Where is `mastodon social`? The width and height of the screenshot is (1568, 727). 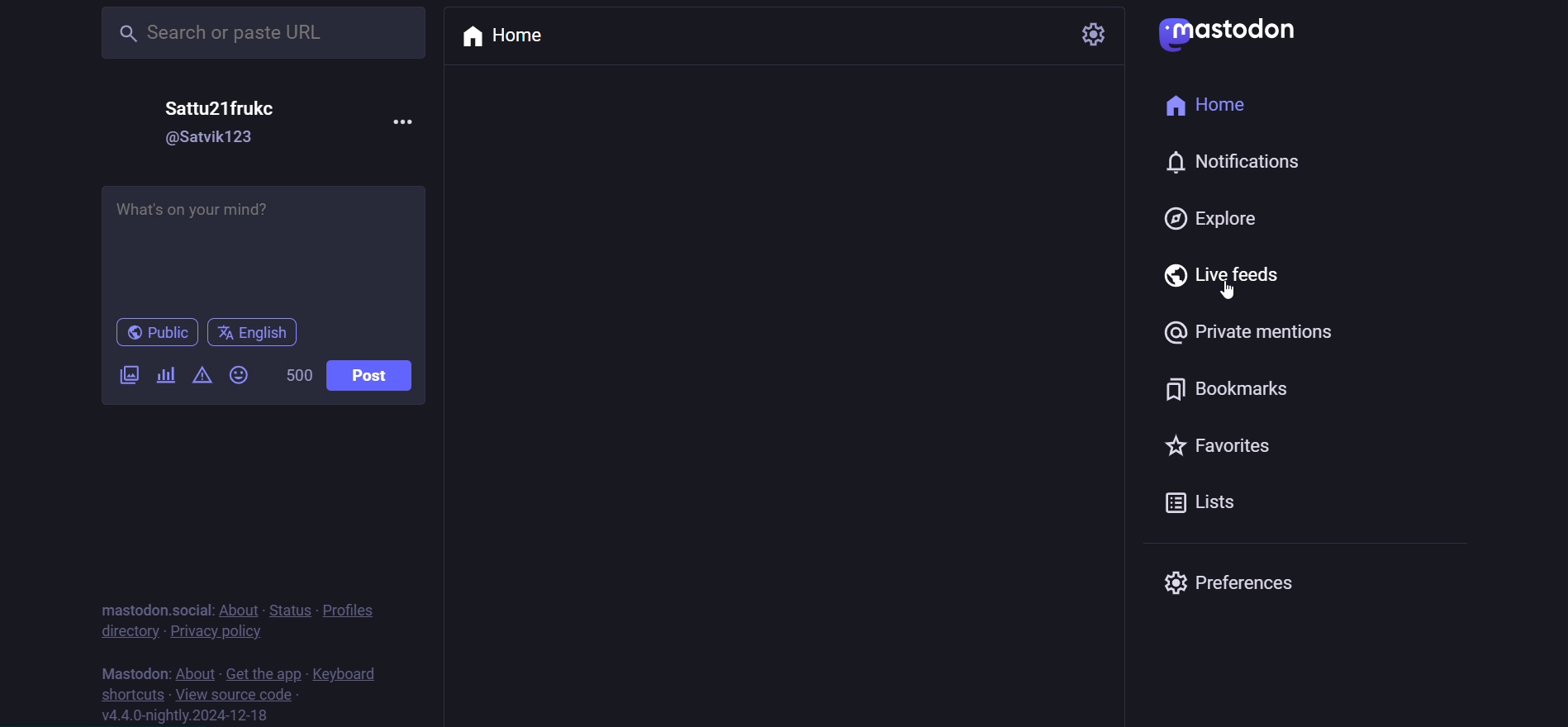 mastodon social is located at coordinates (152, 610).